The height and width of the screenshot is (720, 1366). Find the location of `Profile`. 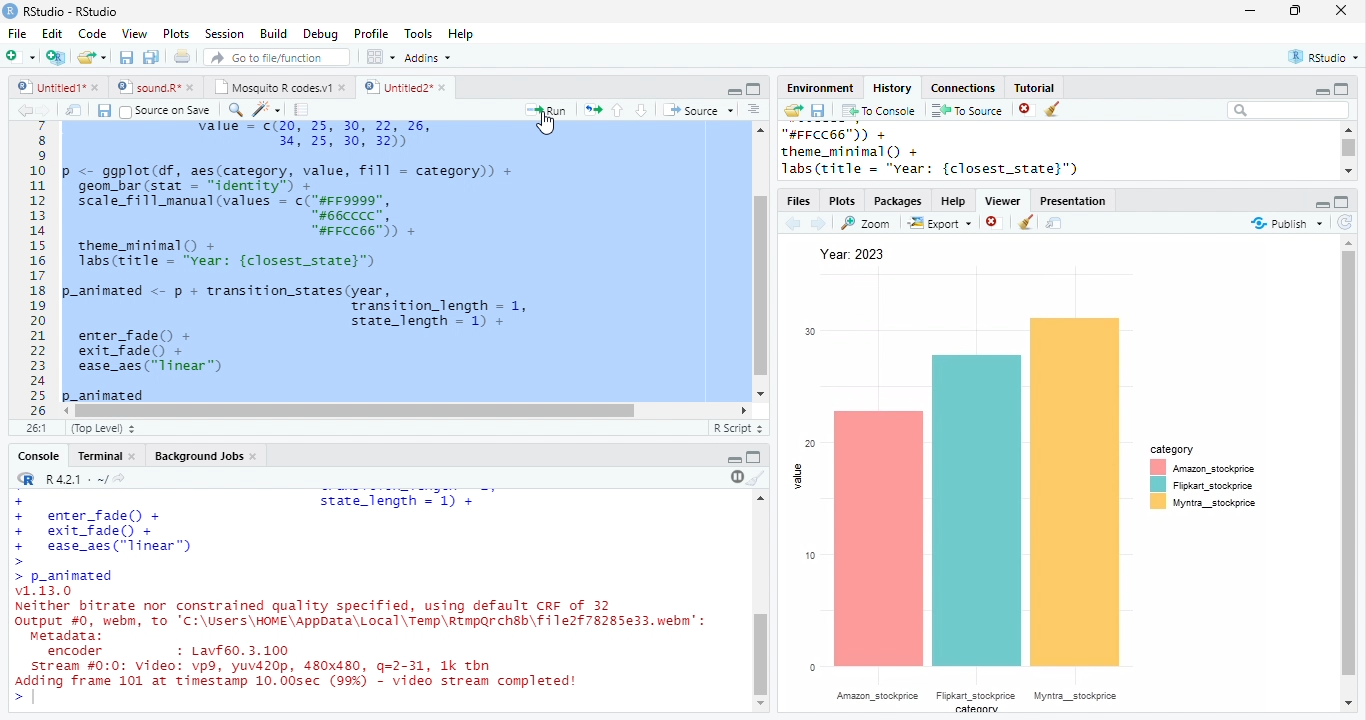

Profile is located at coordinates (372, 34).